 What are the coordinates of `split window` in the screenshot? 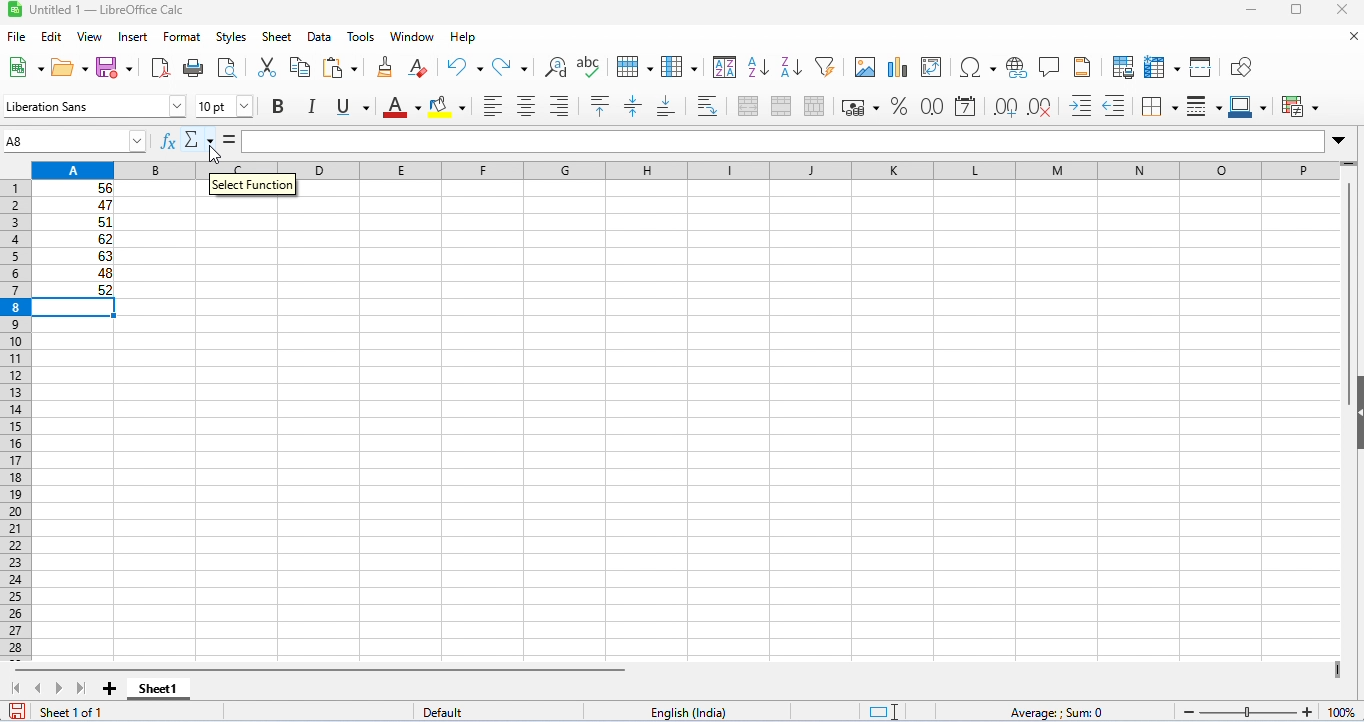 It's located at (1203, 67).